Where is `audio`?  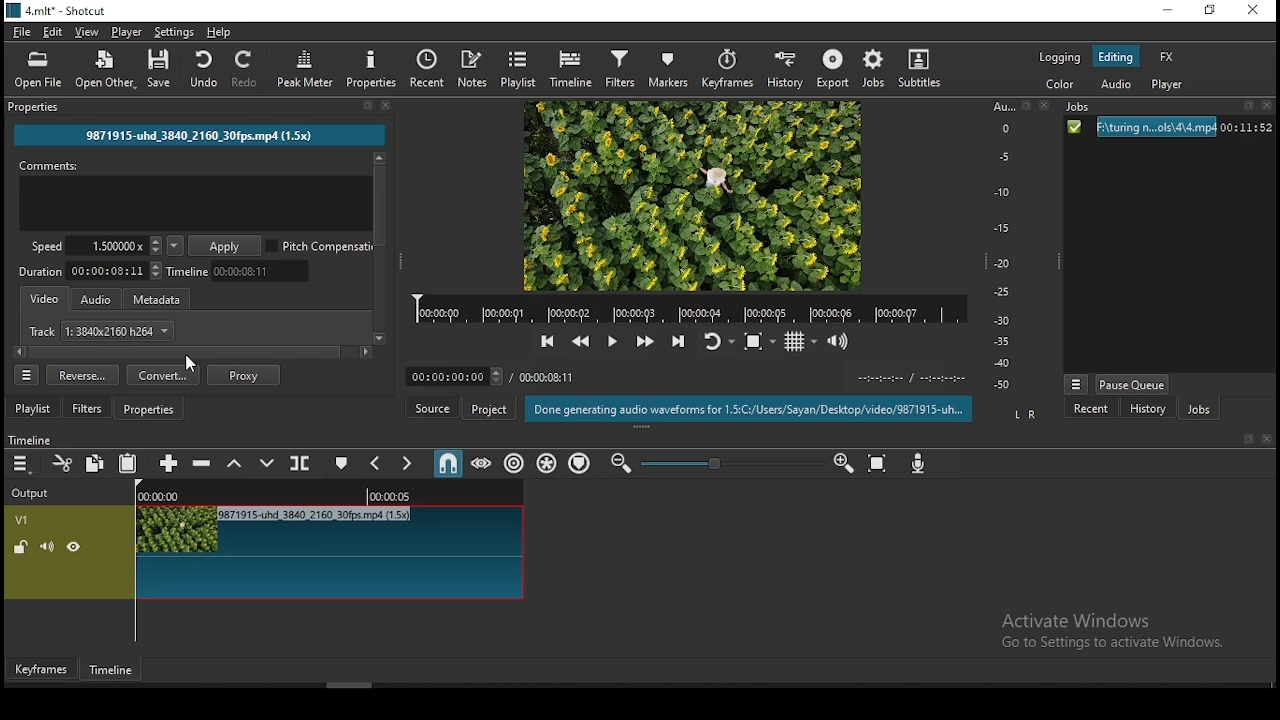 audio is located at coordinates (97, 297).